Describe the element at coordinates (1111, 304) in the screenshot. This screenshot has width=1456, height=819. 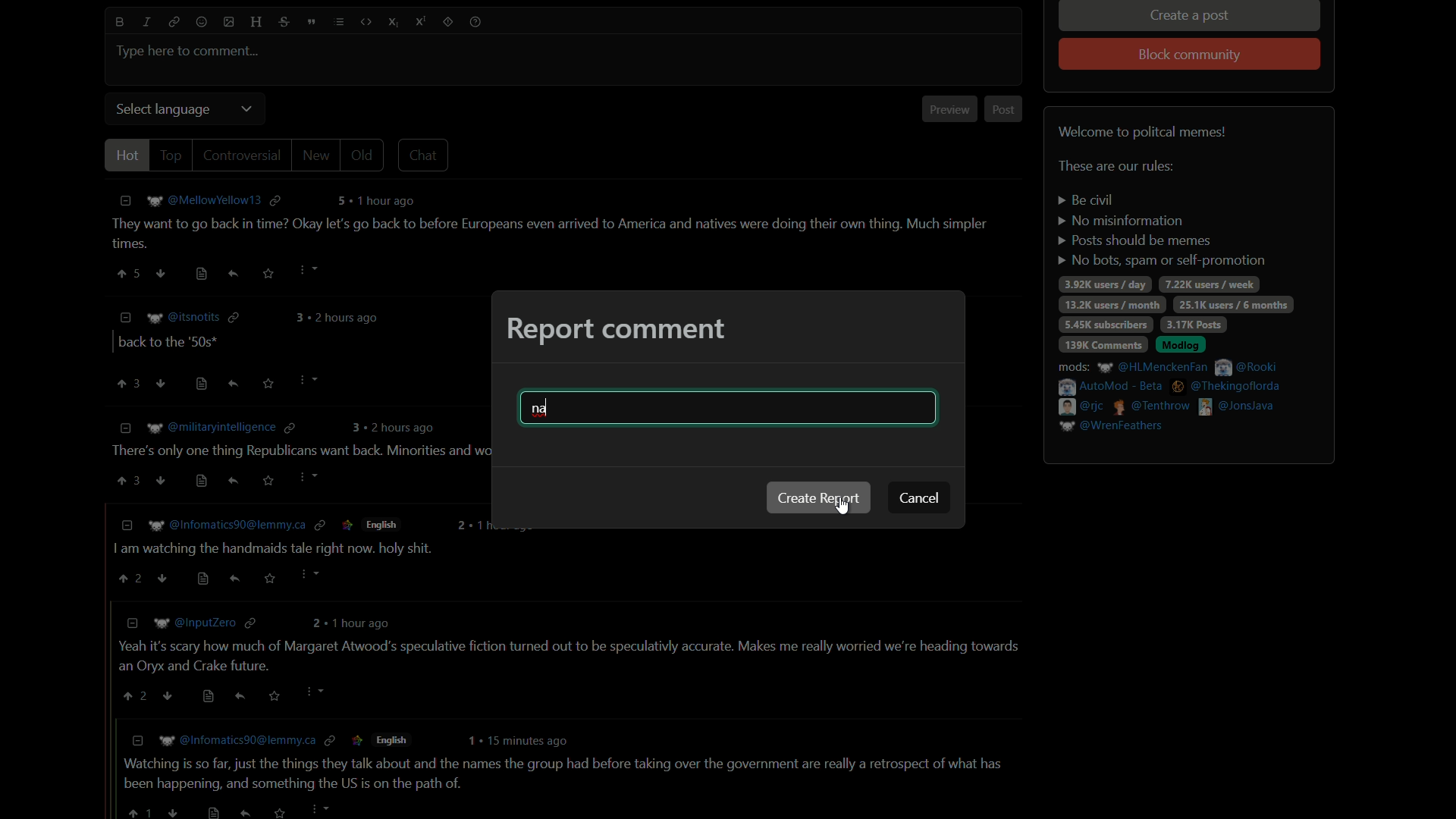
I see `13.2k users / day` at that location.